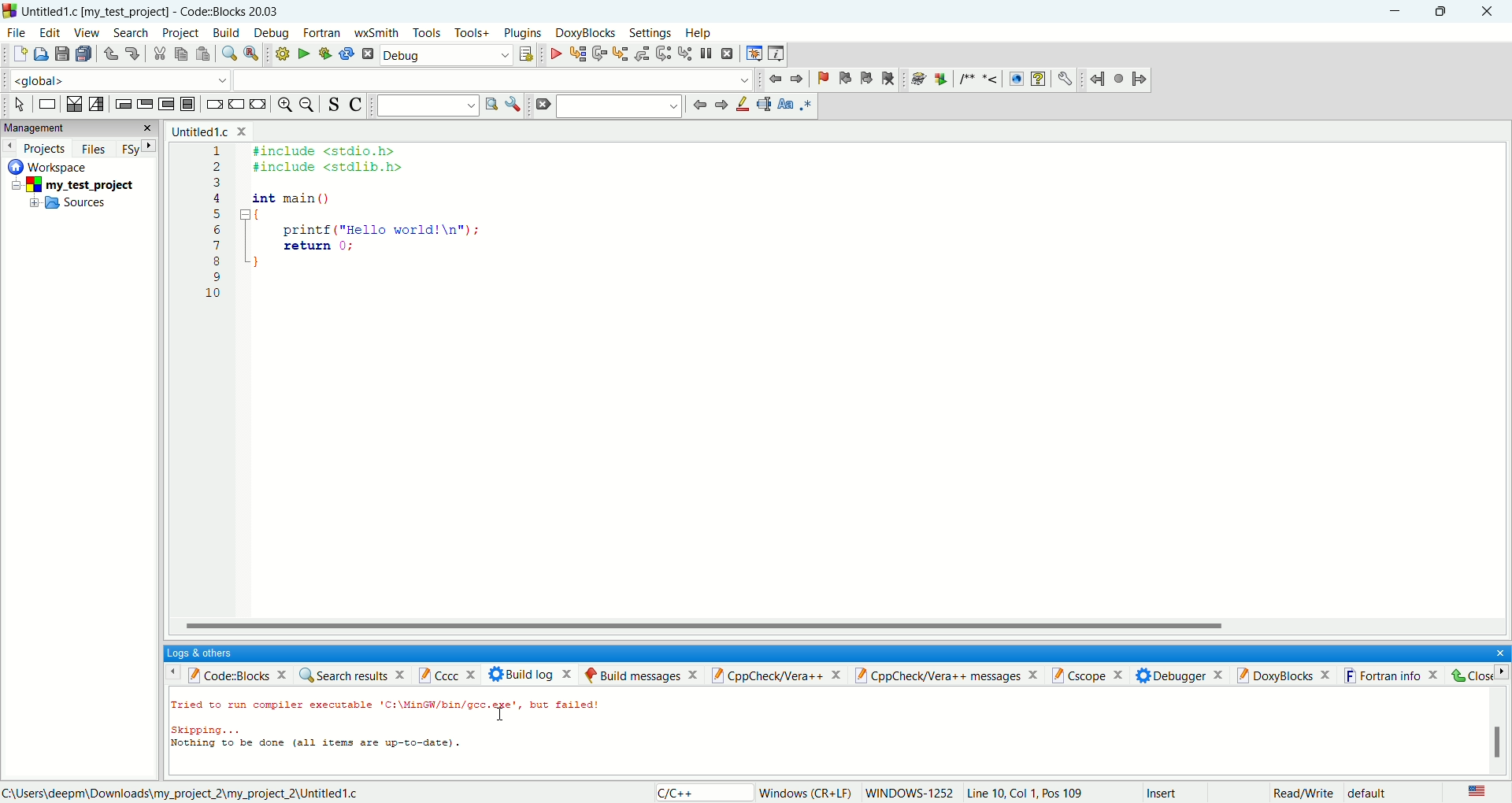  I want to click on find, so click(227, 54).